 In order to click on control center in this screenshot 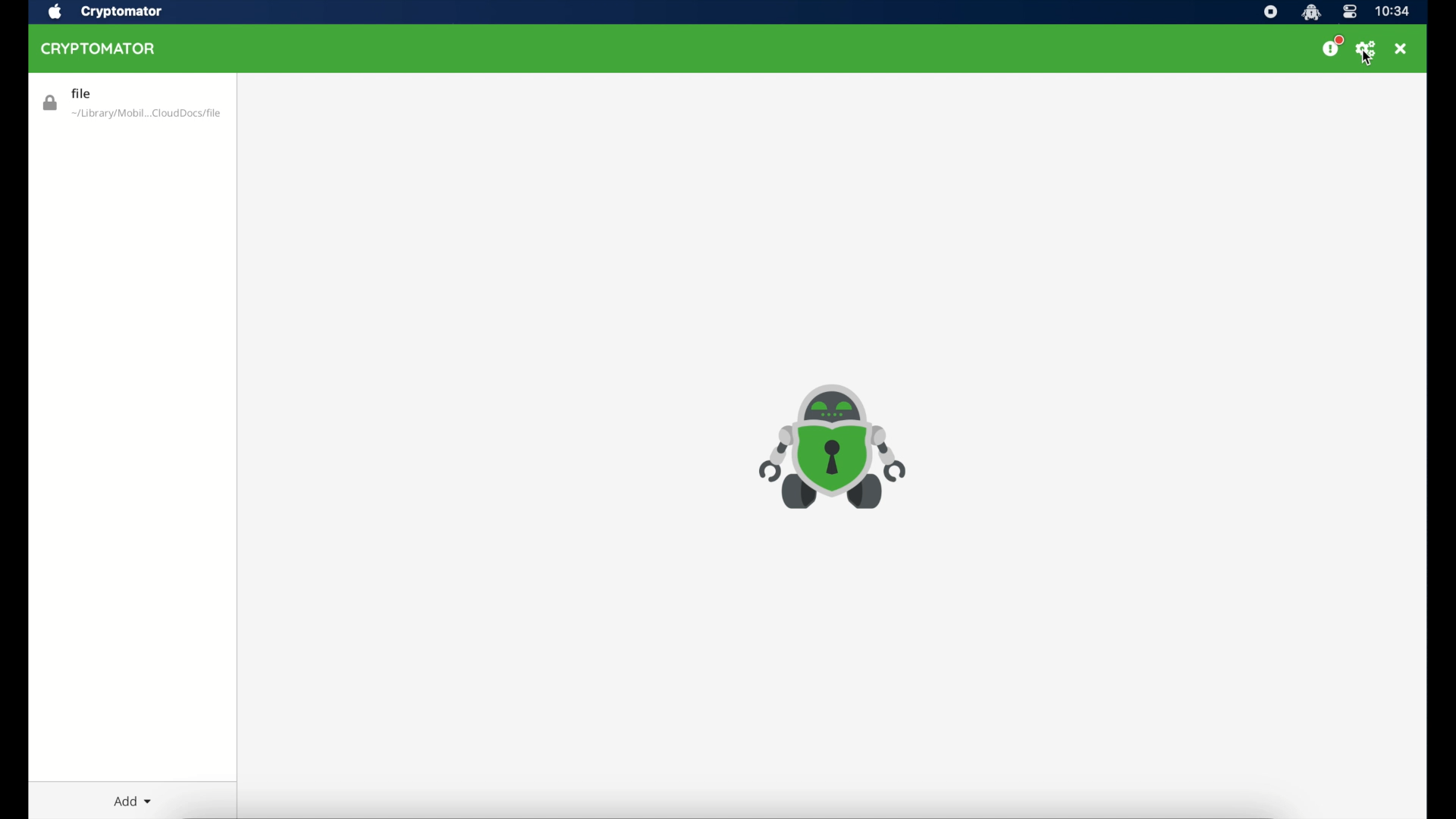, I will do `click(1348, 12)`.